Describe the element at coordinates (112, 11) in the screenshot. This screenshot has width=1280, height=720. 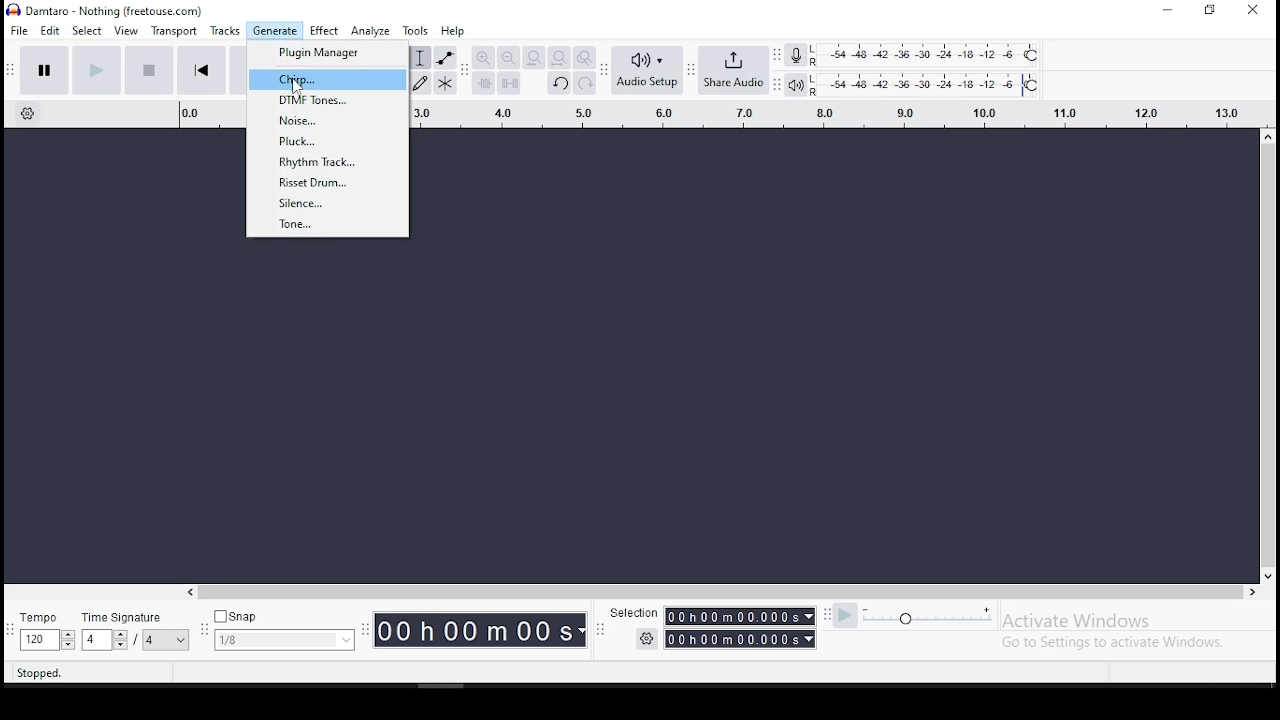
I see `icon and file name` at that location.